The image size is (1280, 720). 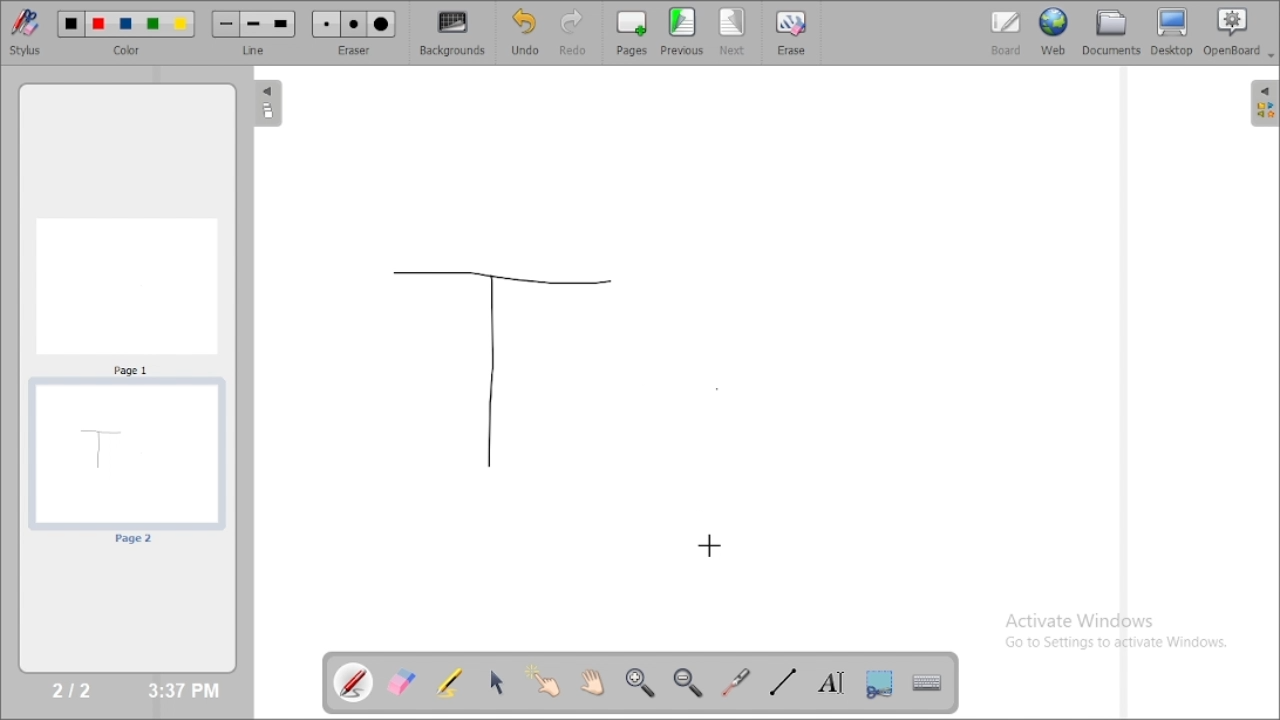 What do you see at coordinates (1122, 634) in the screenshot?
I see `Activate Windows
Go to Settings to activate Windows.` at bounding box center [1122, 634].